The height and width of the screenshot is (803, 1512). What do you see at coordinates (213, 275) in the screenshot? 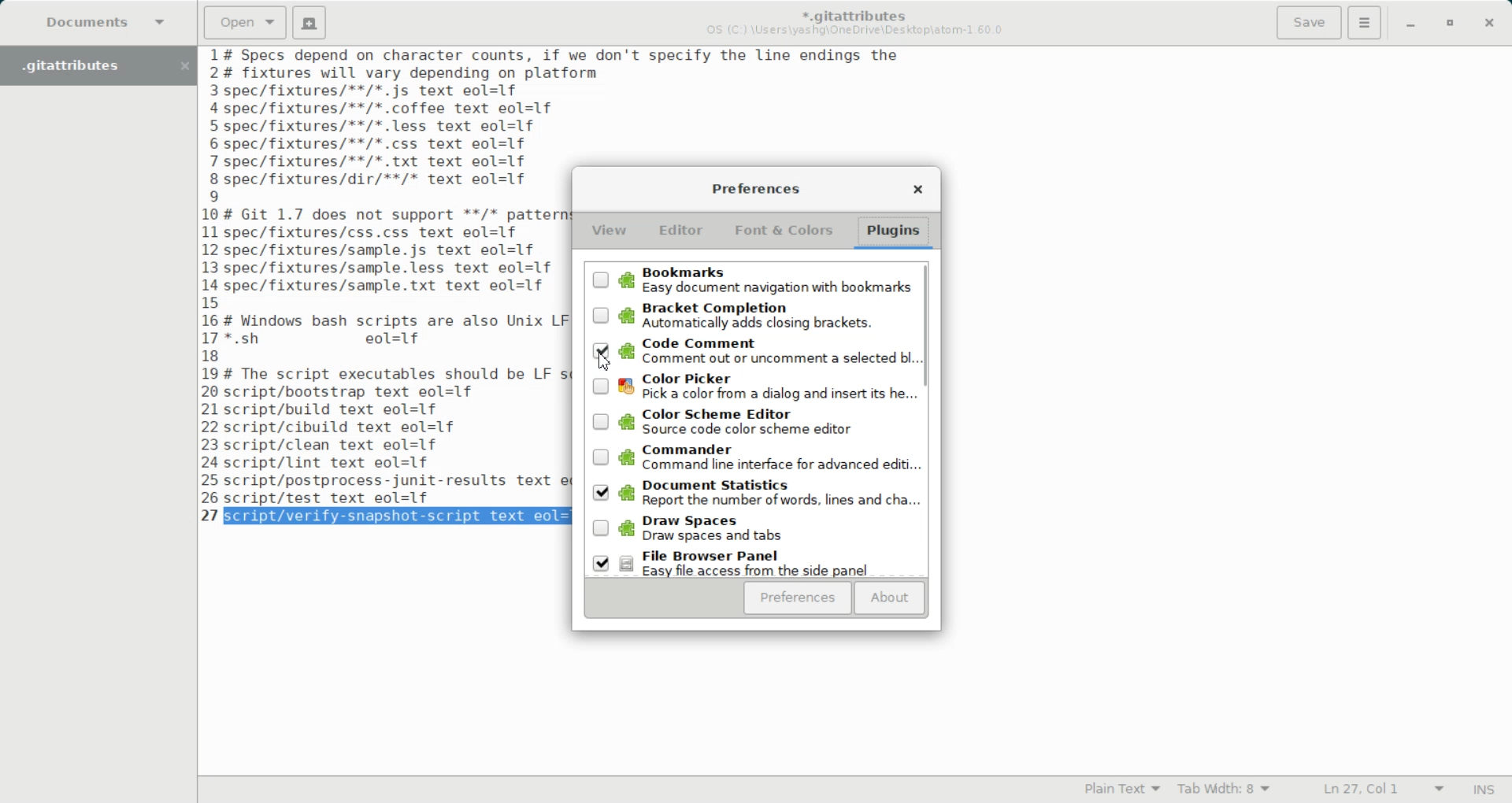
I see `text line number` at bounding box center [213, 275].